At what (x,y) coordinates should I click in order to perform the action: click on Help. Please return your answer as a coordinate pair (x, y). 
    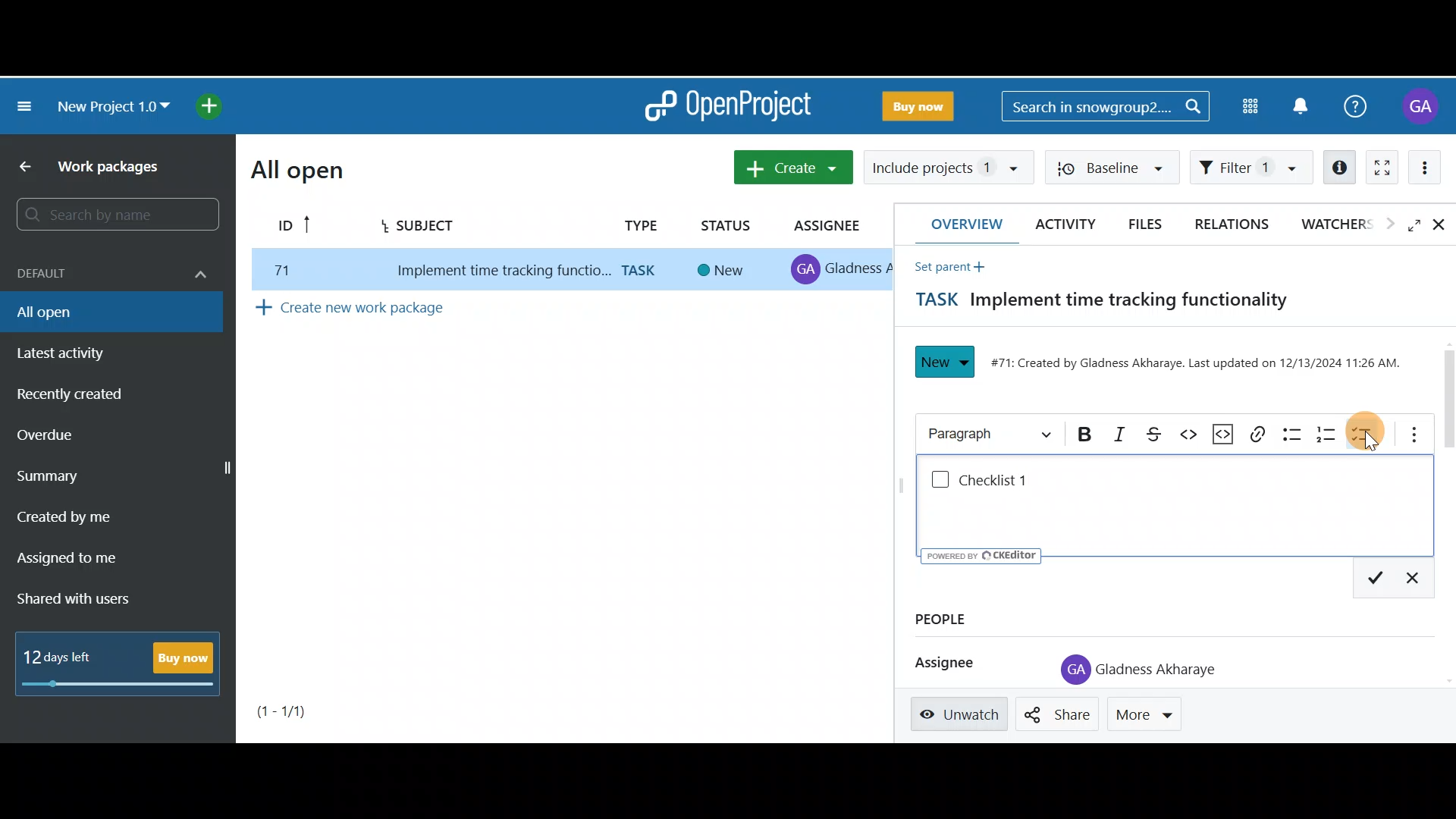
    Looking at the image, I should click on (1359, 111).